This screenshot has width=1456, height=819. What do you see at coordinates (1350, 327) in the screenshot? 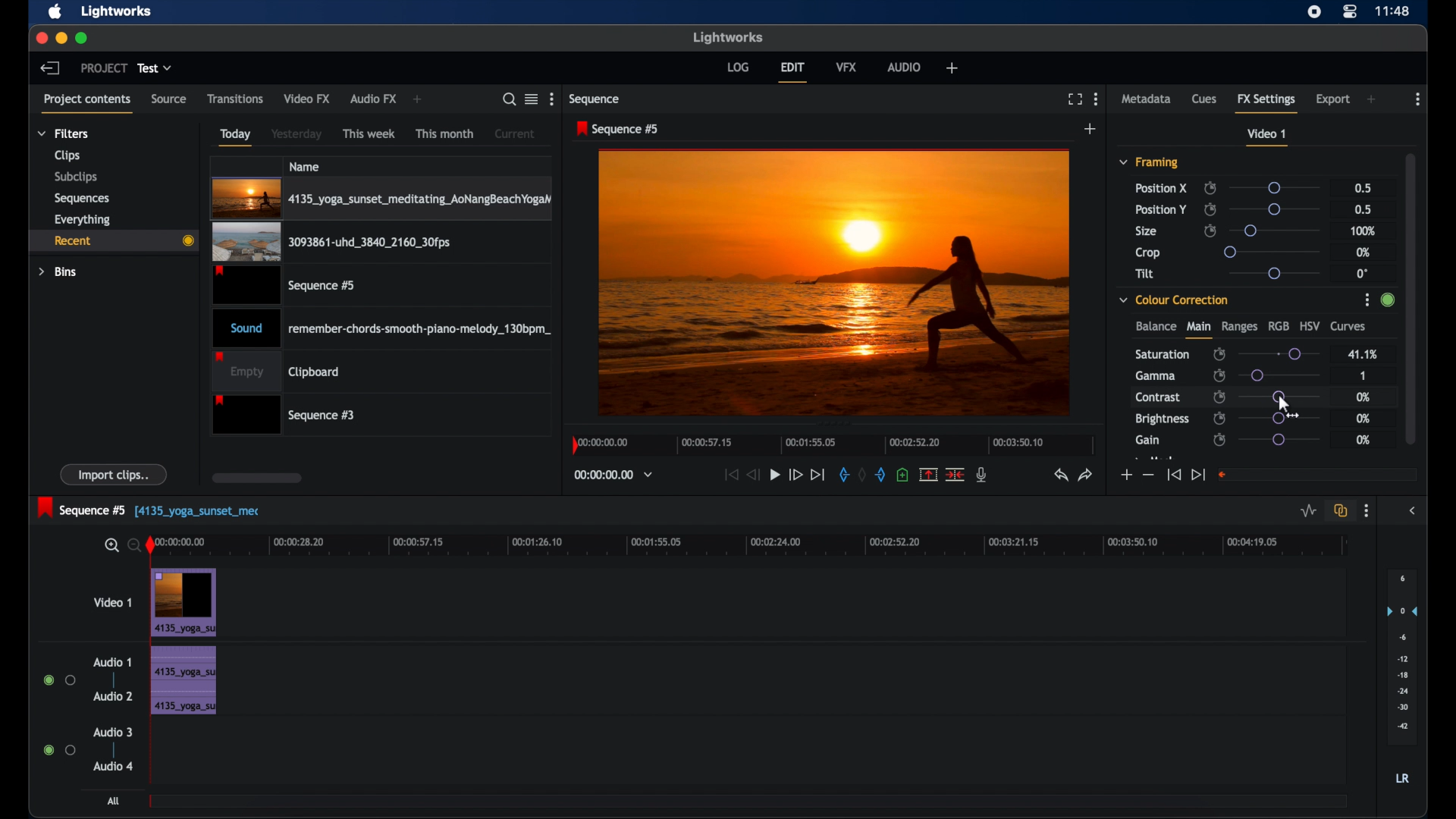
I see `curves` at bounding box center [1350, 327].